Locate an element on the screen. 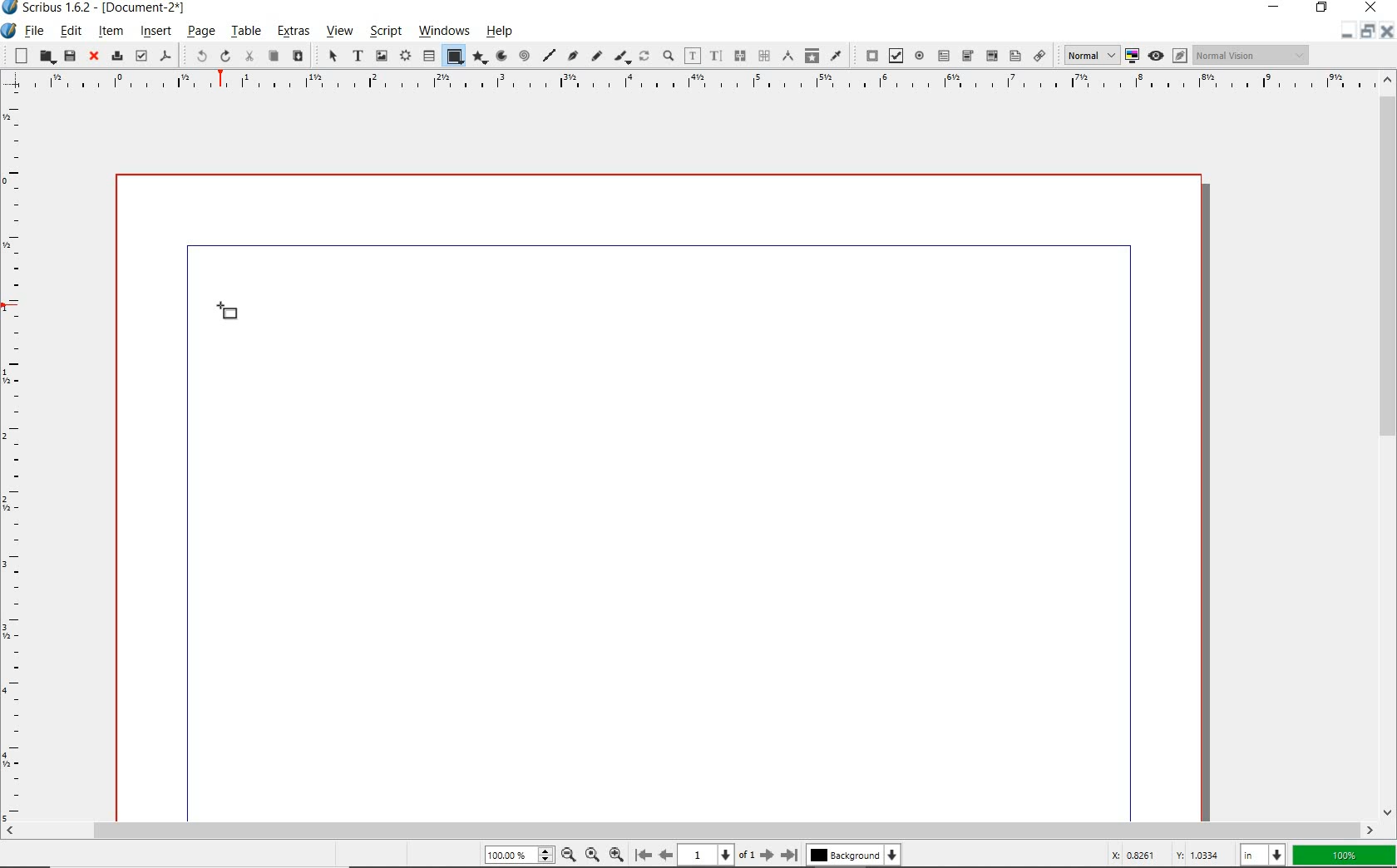 Image resolution: width=1397 pixels, height=868 pixels. minimize is located at coordinates (1275, 7).